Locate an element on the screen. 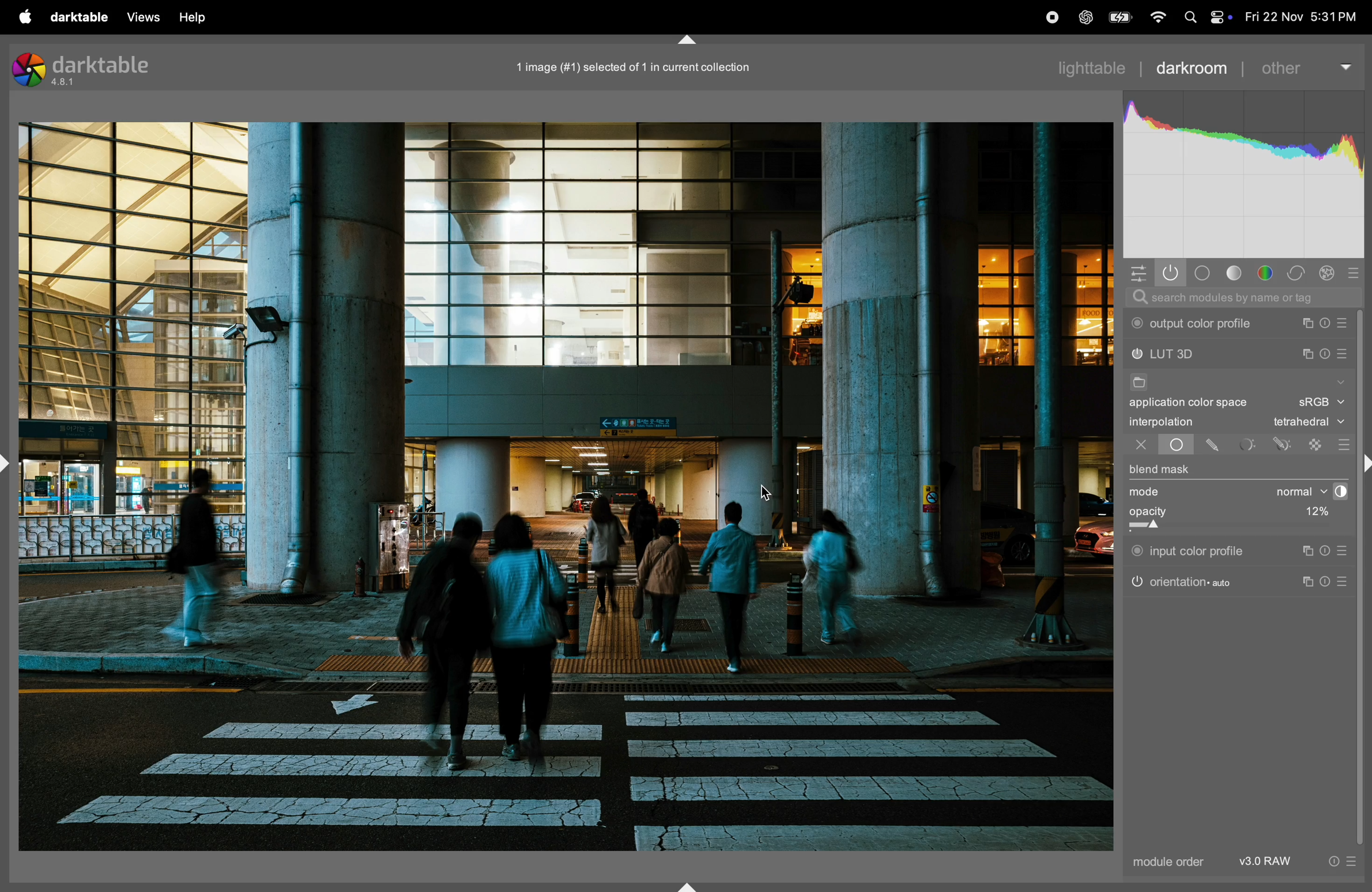  blend mask is located at coordinates (1160, 471).